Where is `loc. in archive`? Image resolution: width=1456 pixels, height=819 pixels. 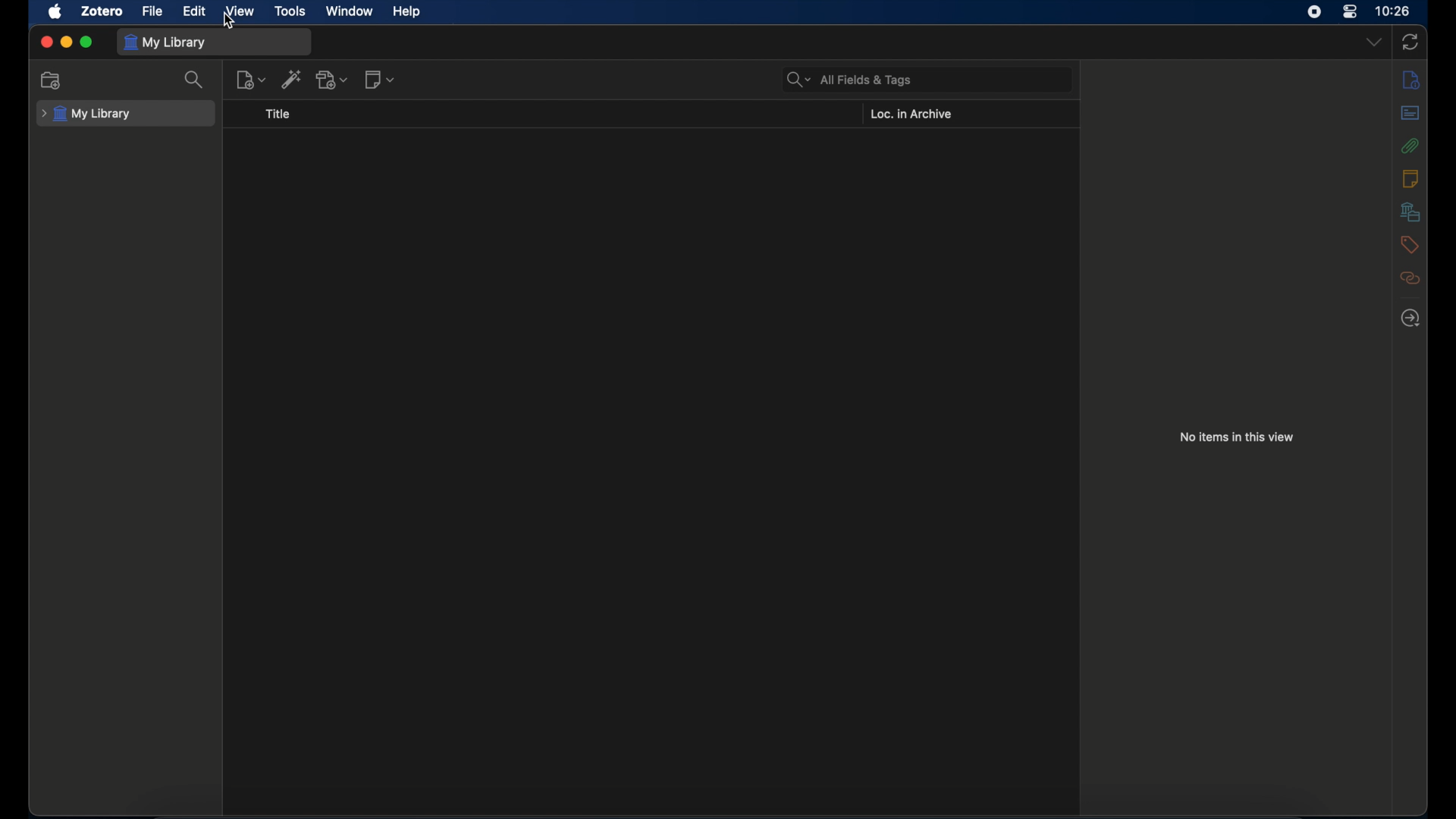 loc. in archive is located at coordinates (911, 114).